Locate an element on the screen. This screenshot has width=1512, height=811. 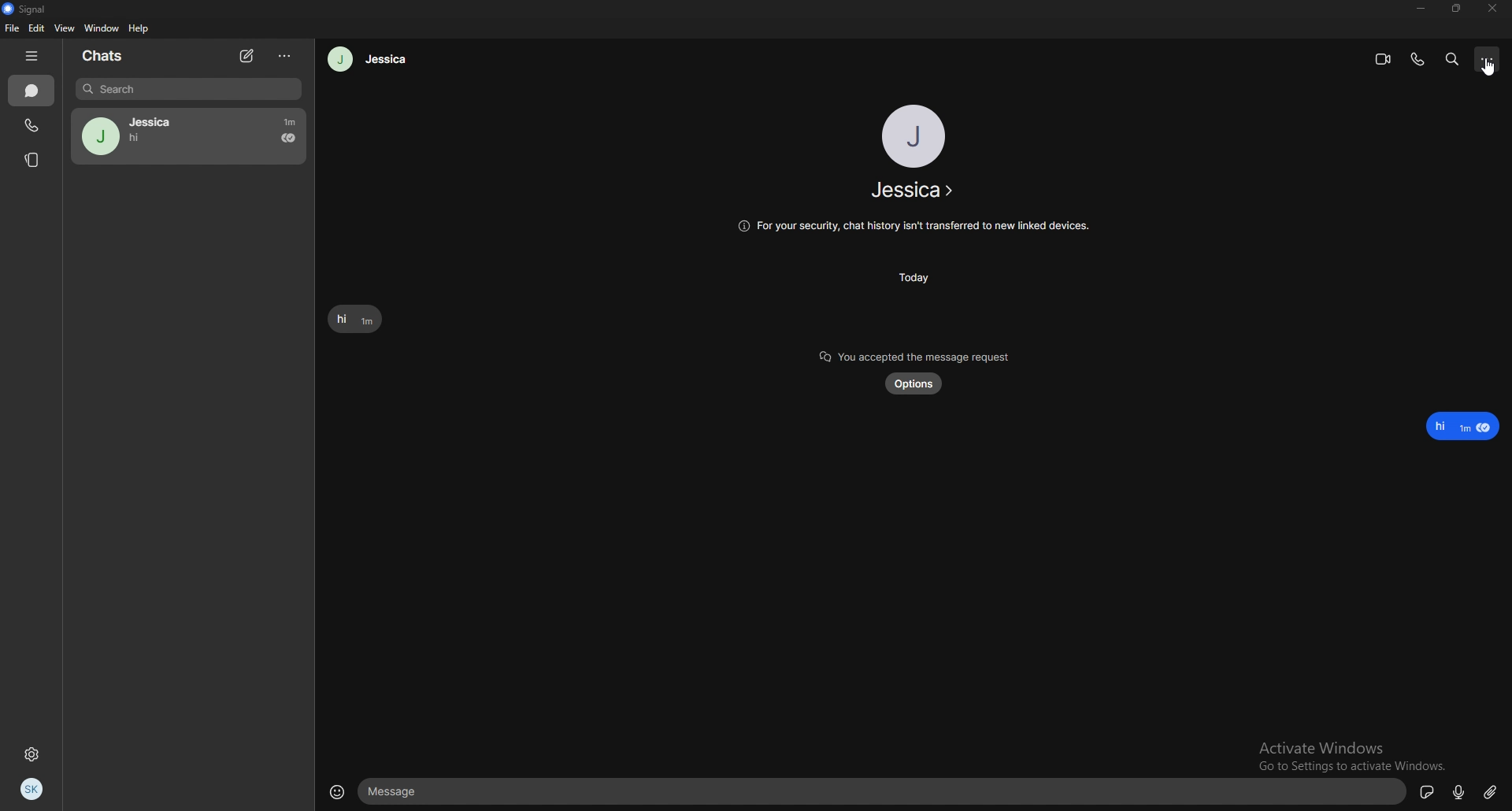
Jessica is located at coordinates (911, 191).